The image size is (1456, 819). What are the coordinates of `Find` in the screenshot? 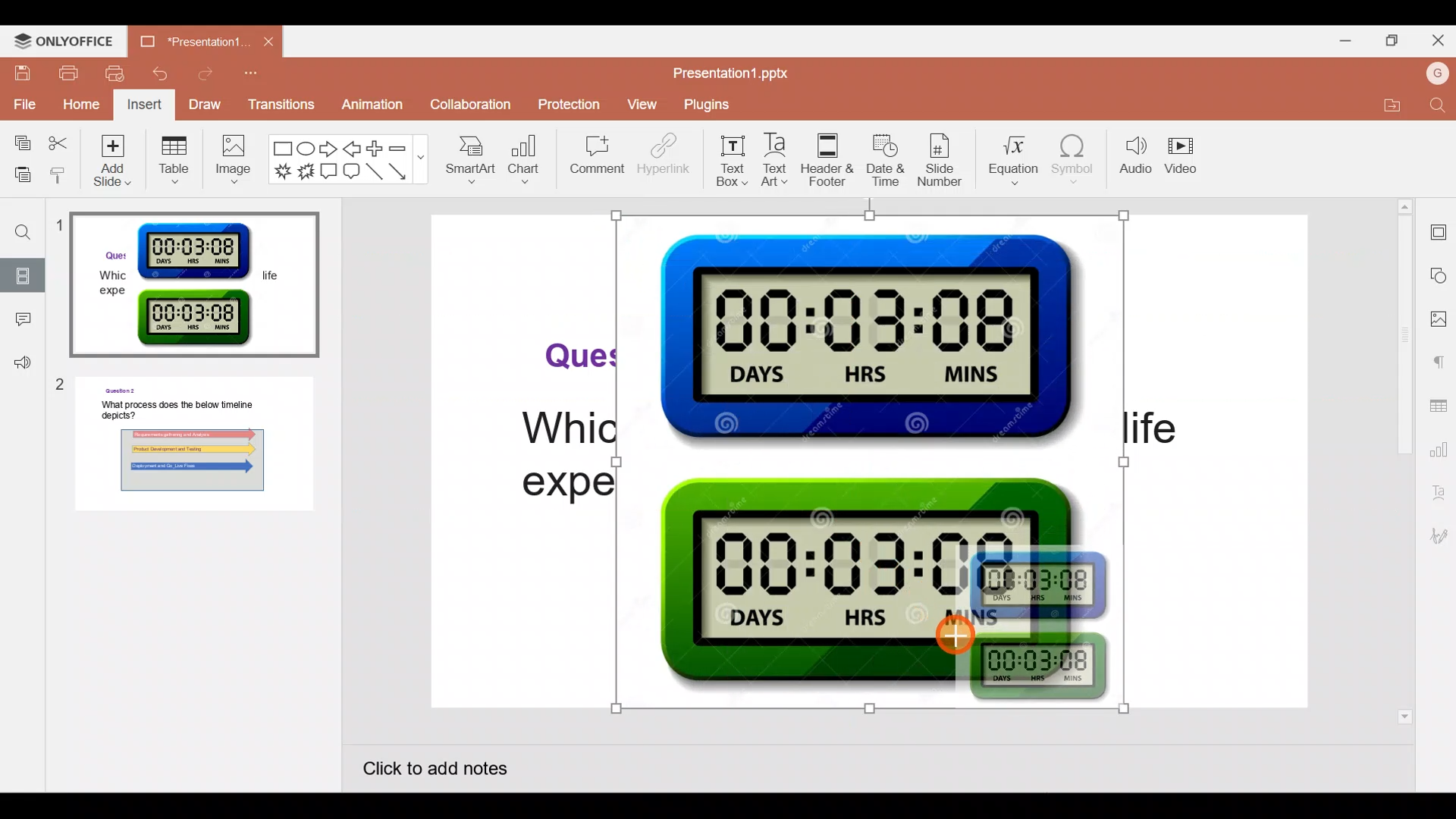 It's located at (1435, 108).